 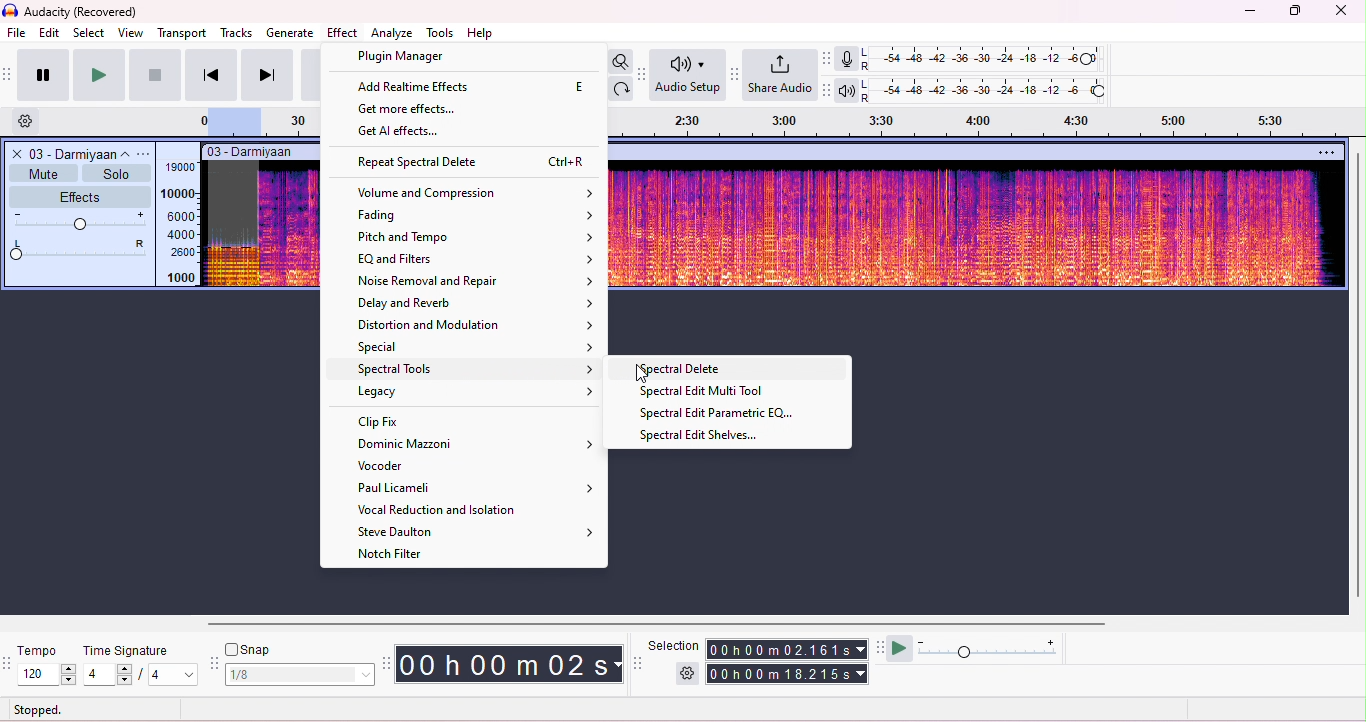 What do you see at coordinates (643, 75) in the screenshot?
I see `Audio setup tool bar` at bounding box center [643, 75].